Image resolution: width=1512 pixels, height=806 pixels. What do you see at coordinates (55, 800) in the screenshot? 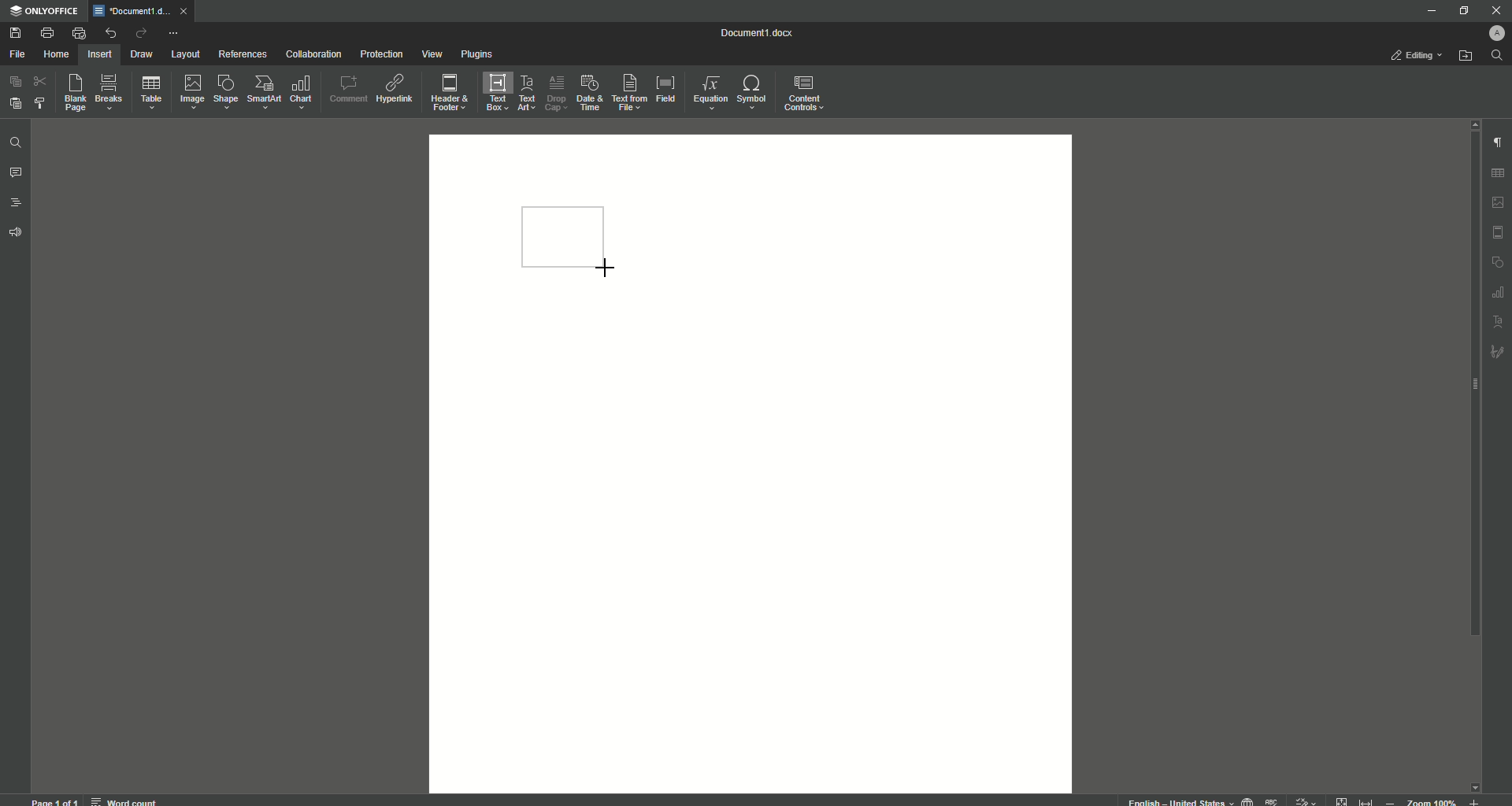
I see `page 1 of 1` at bounding box center [55, 800].